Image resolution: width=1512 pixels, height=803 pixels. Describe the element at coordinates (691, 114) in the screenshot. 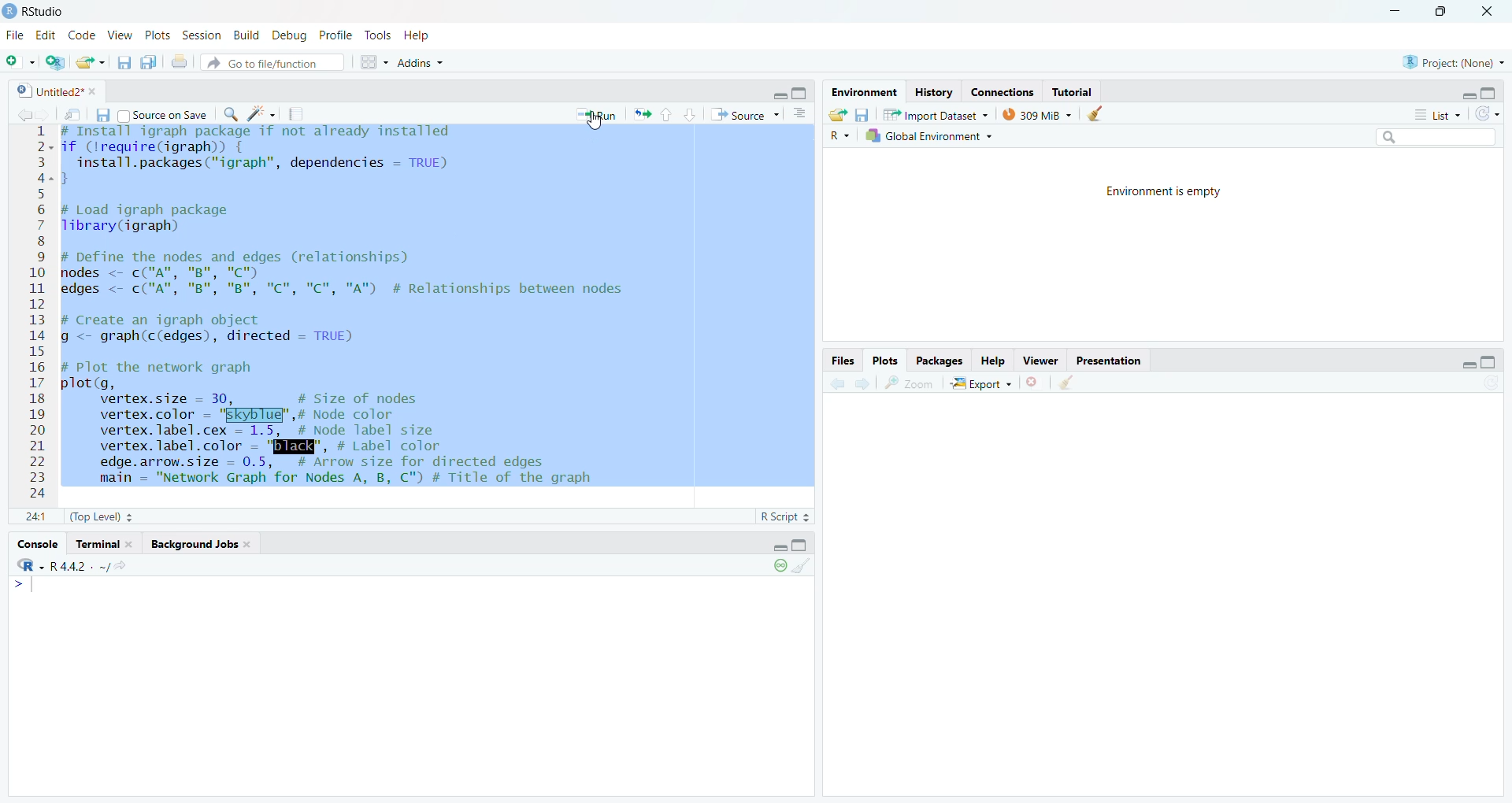

I see `downward` at that location.